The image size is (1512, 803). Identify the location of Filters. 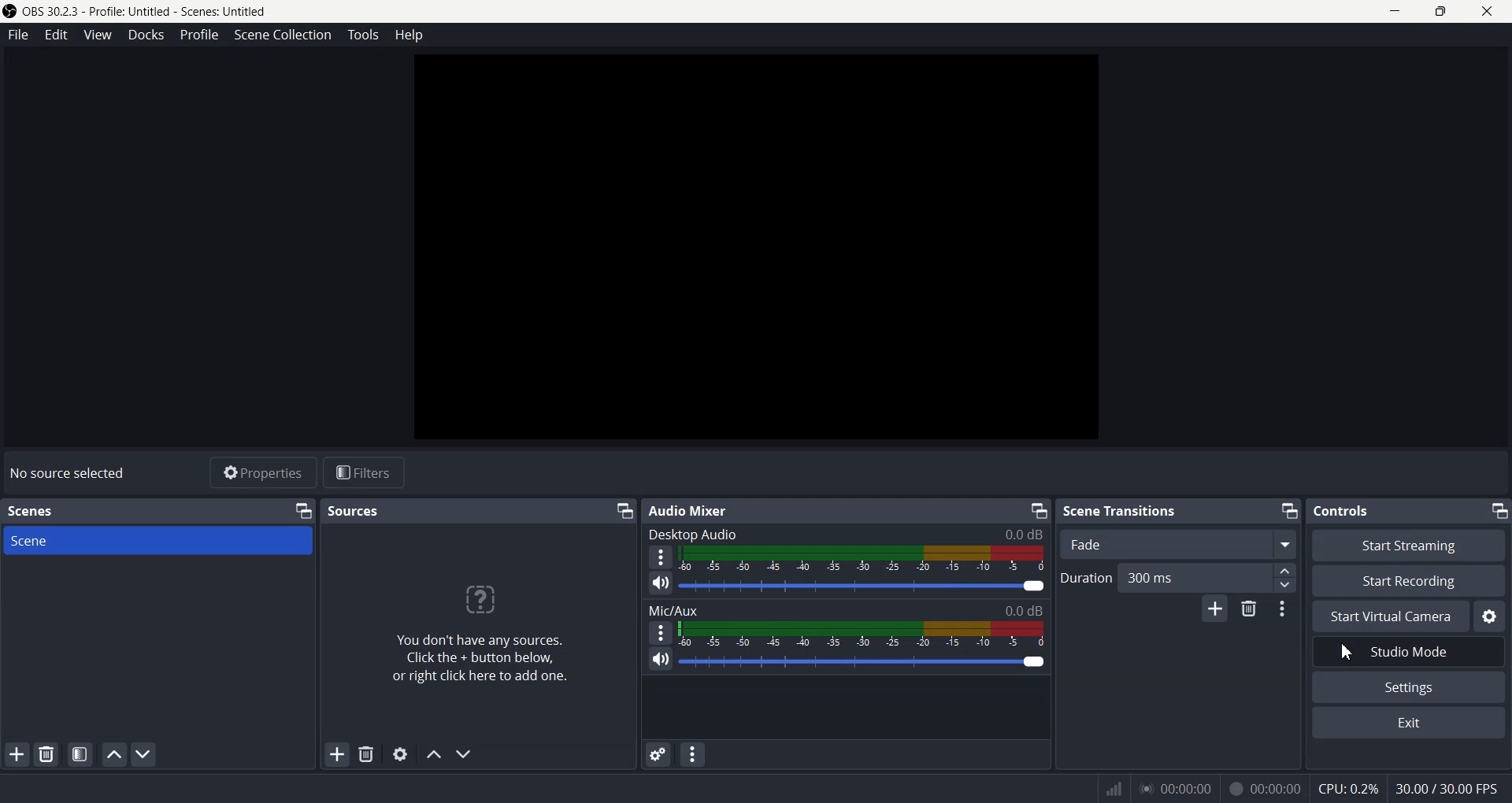
(366, 473).